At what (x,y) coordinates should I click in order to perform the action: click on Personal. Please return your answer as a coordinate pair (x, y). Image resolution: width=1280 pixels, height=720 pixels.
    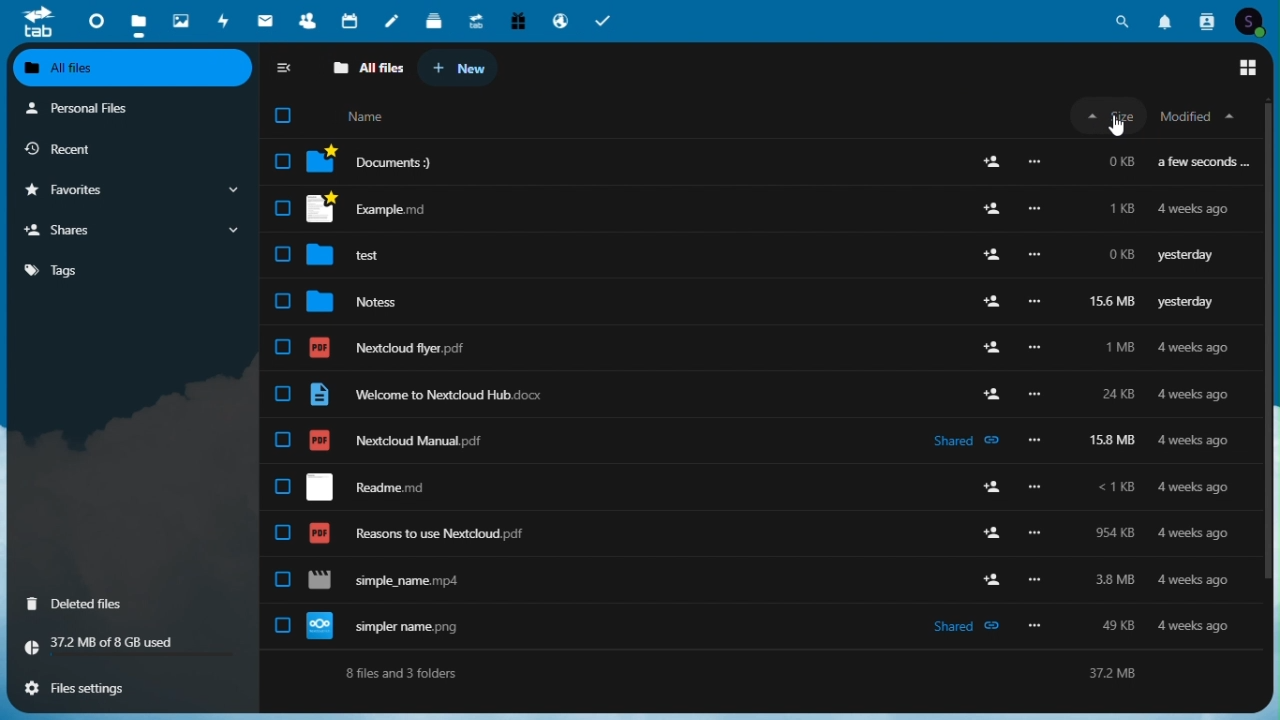
    Looking at the image, I should click on (120, 111).